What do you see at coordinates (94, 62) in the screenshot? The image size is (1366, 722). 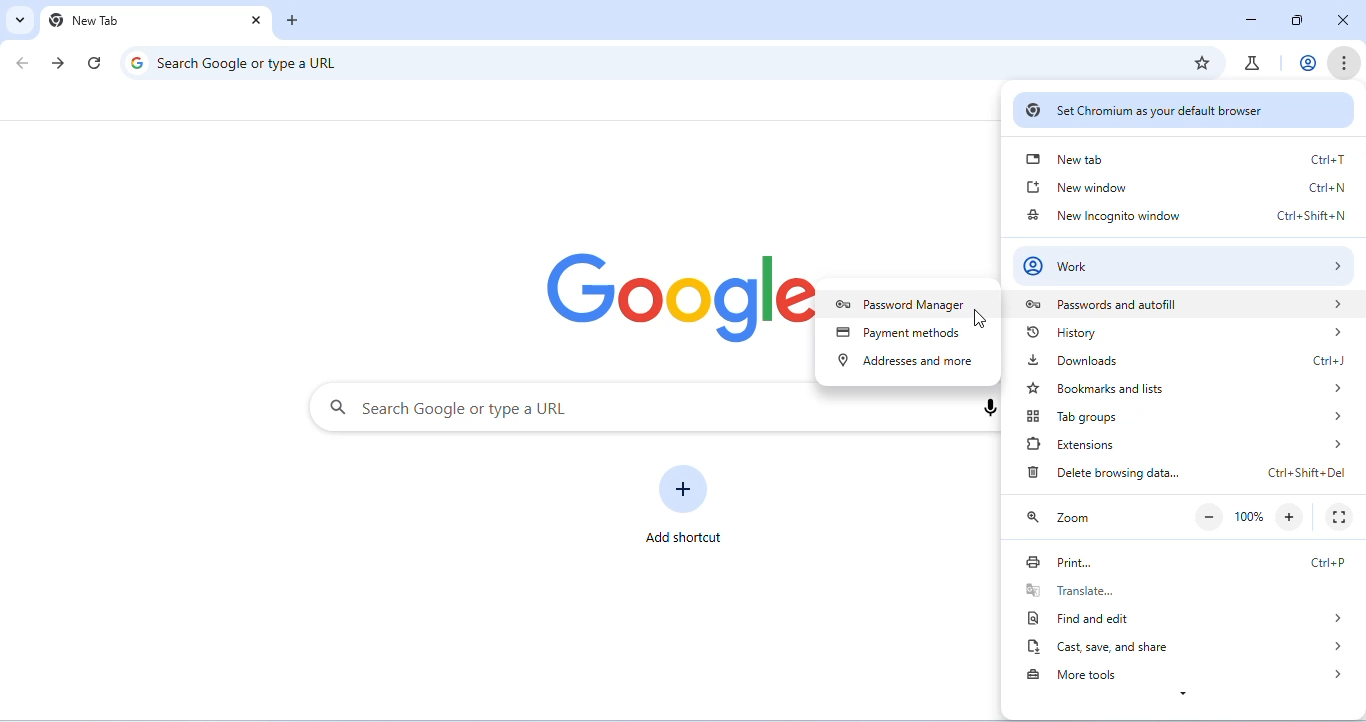 I see `refresh` at bounding box center [94, 62].